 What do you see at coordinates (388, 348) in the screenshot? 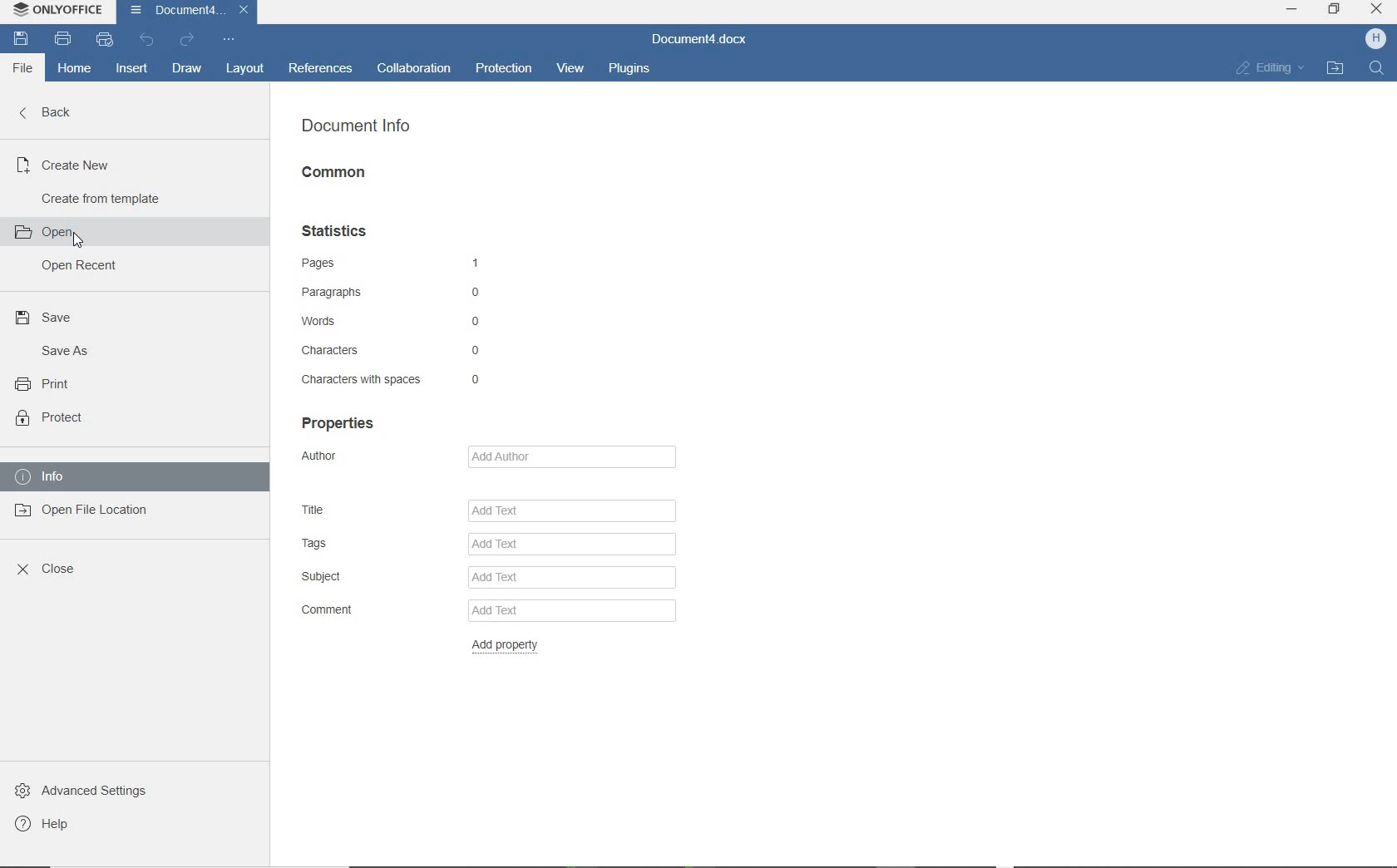
I see `characters - 0` at bounding box center [388, 348].